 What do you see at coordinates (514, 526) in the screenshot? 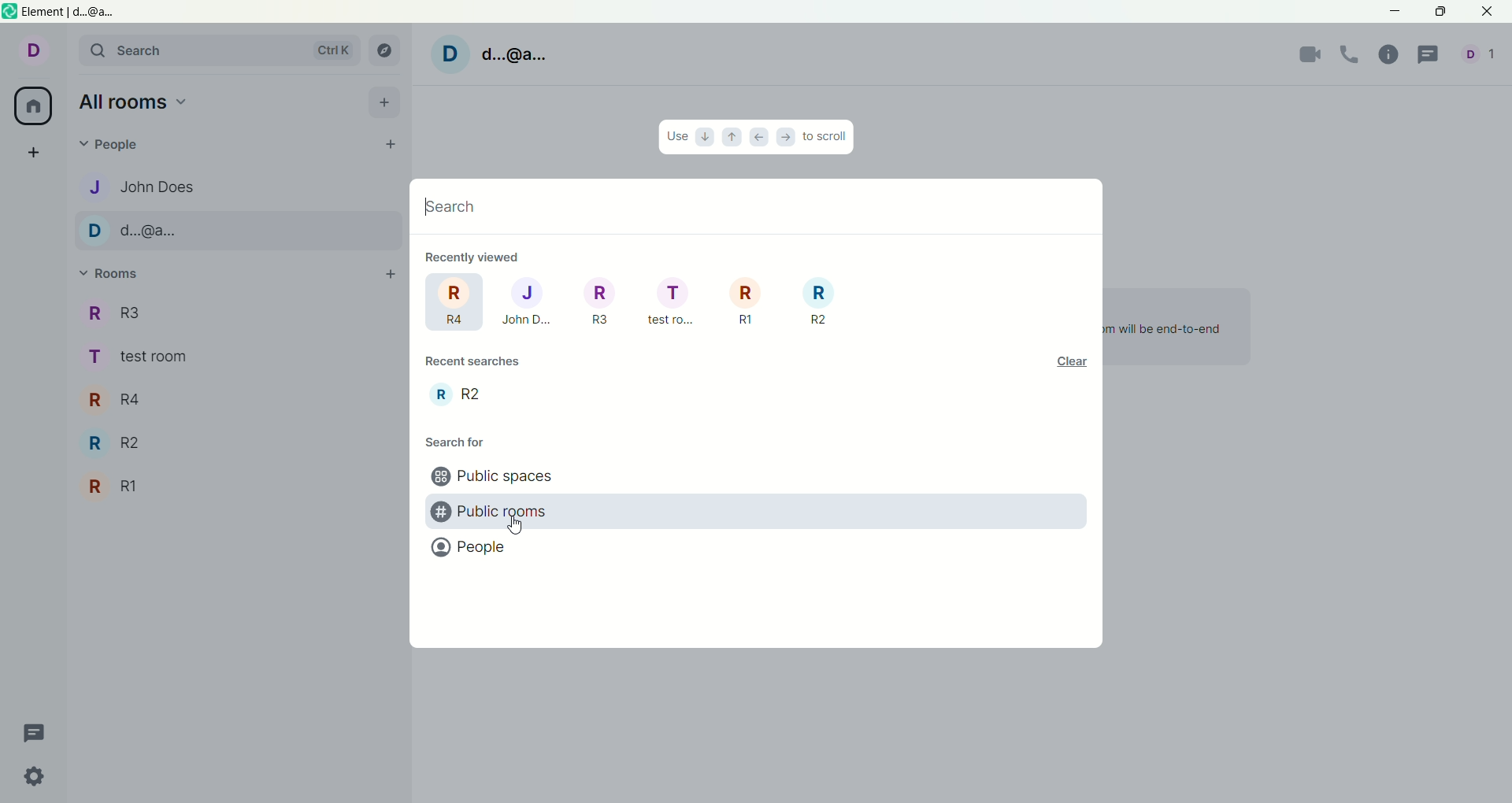
I see `Cursor` at bounding box center [514, 526].